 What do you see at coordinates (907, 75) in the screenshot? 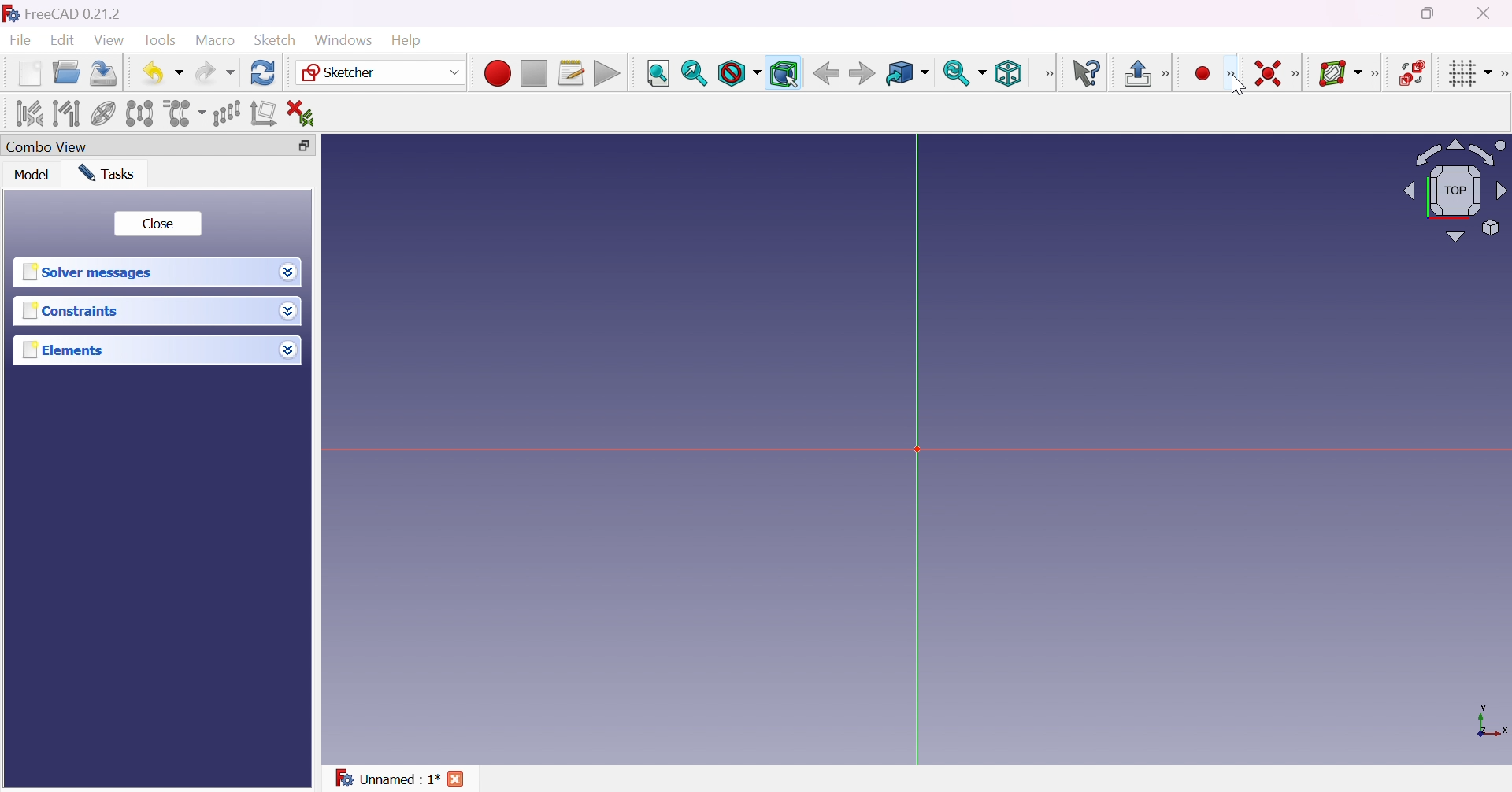
I see `Go to linked object` at bounding box center [907, 75].